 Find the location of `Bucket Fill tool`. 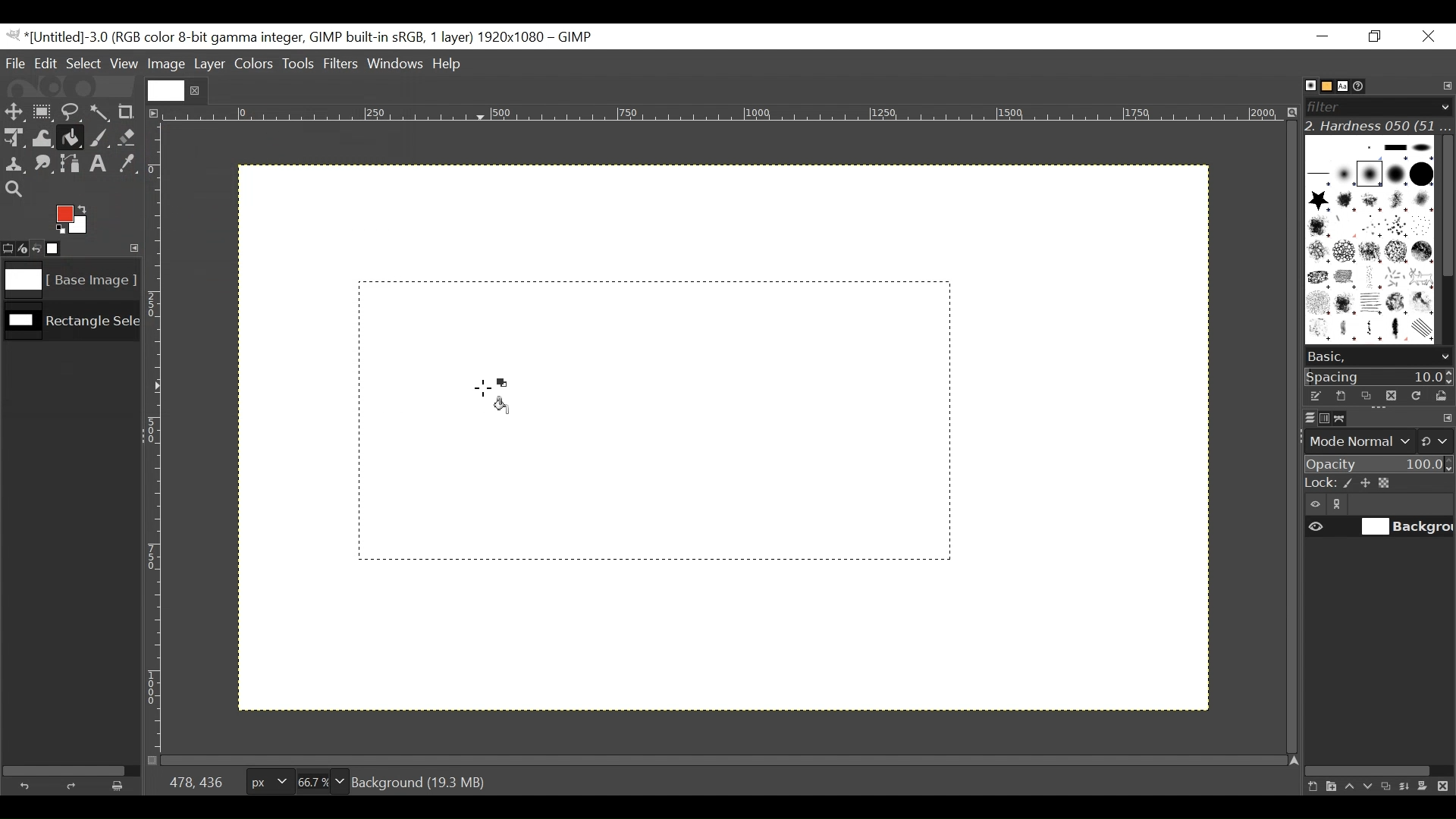

Bucket Fill tool is located at coordinates (71, 139).